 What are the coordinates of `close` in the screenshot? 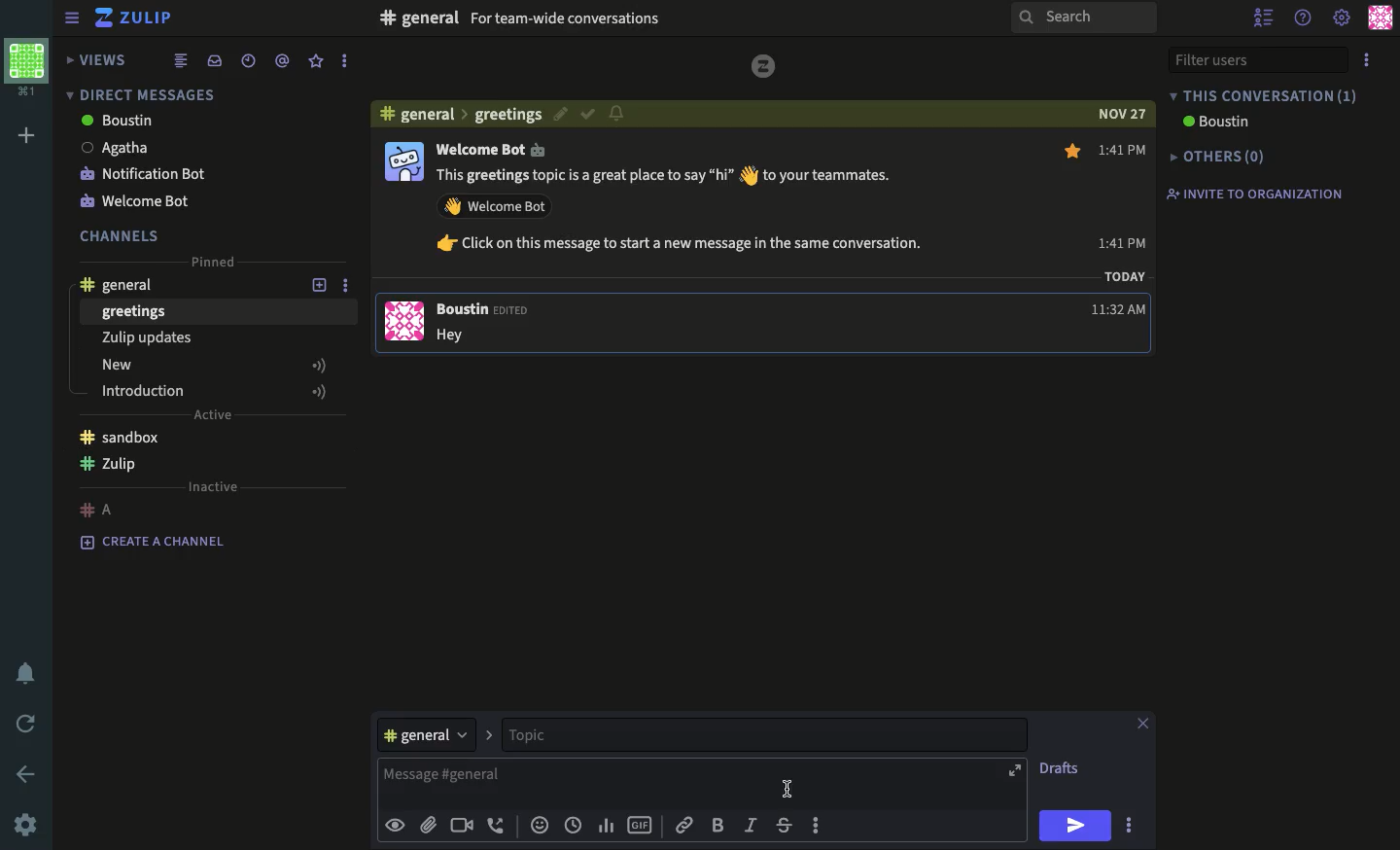 It's located at (1143, 724).